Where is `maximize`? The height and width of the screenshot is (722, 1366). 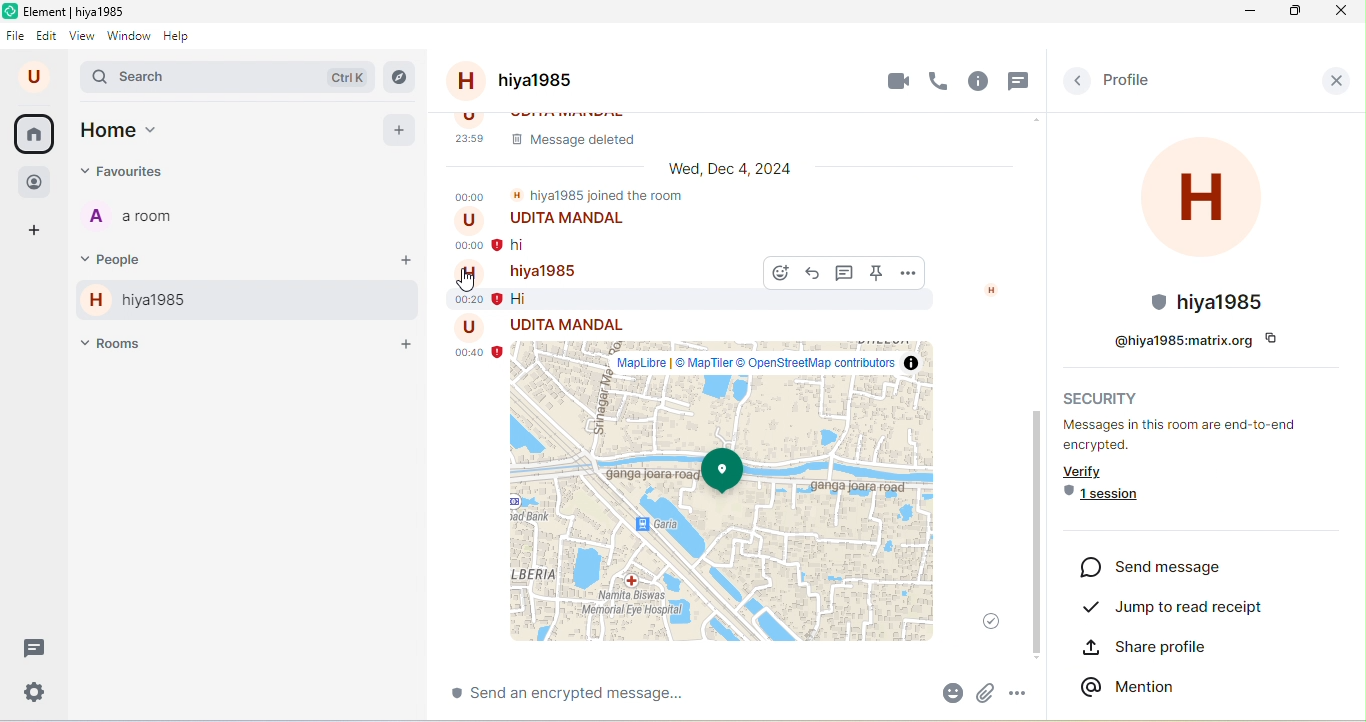 maximize is located at coordinates (1297, 14).